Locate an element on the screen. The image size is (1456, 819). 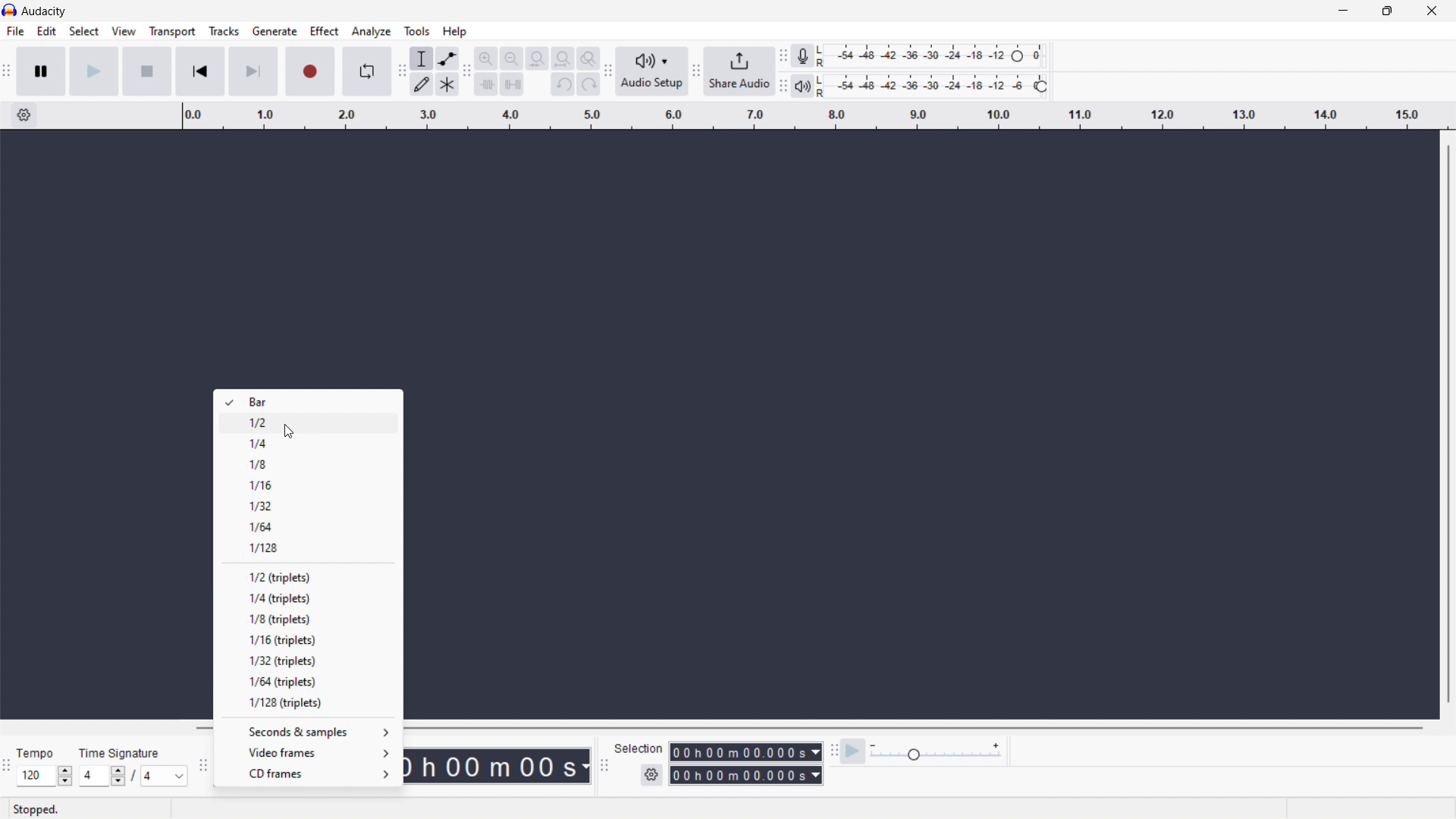
cursor is located at coordinates (293, 431).